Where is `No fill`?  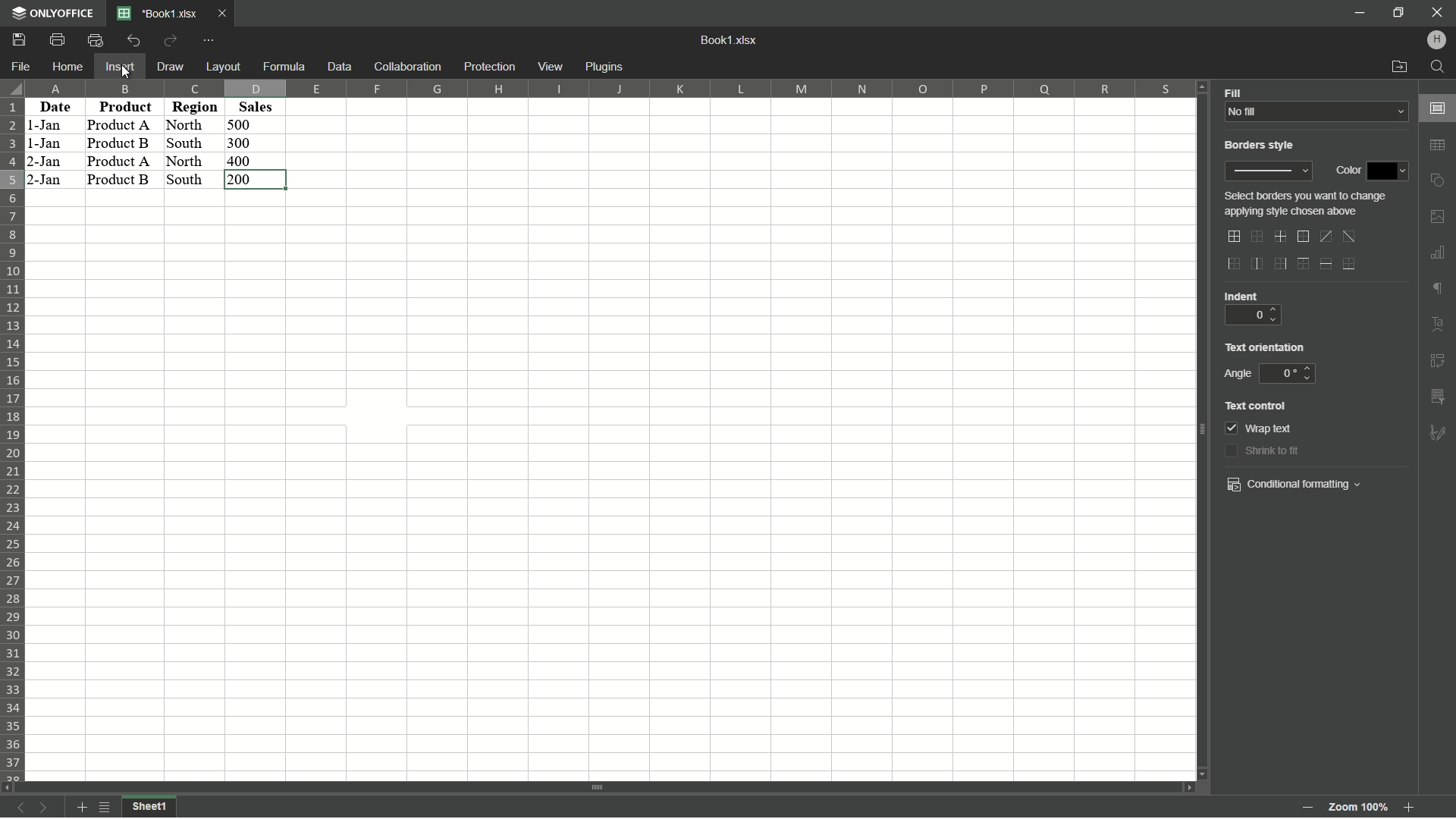
No fill is located at coordinates (1315, 112).